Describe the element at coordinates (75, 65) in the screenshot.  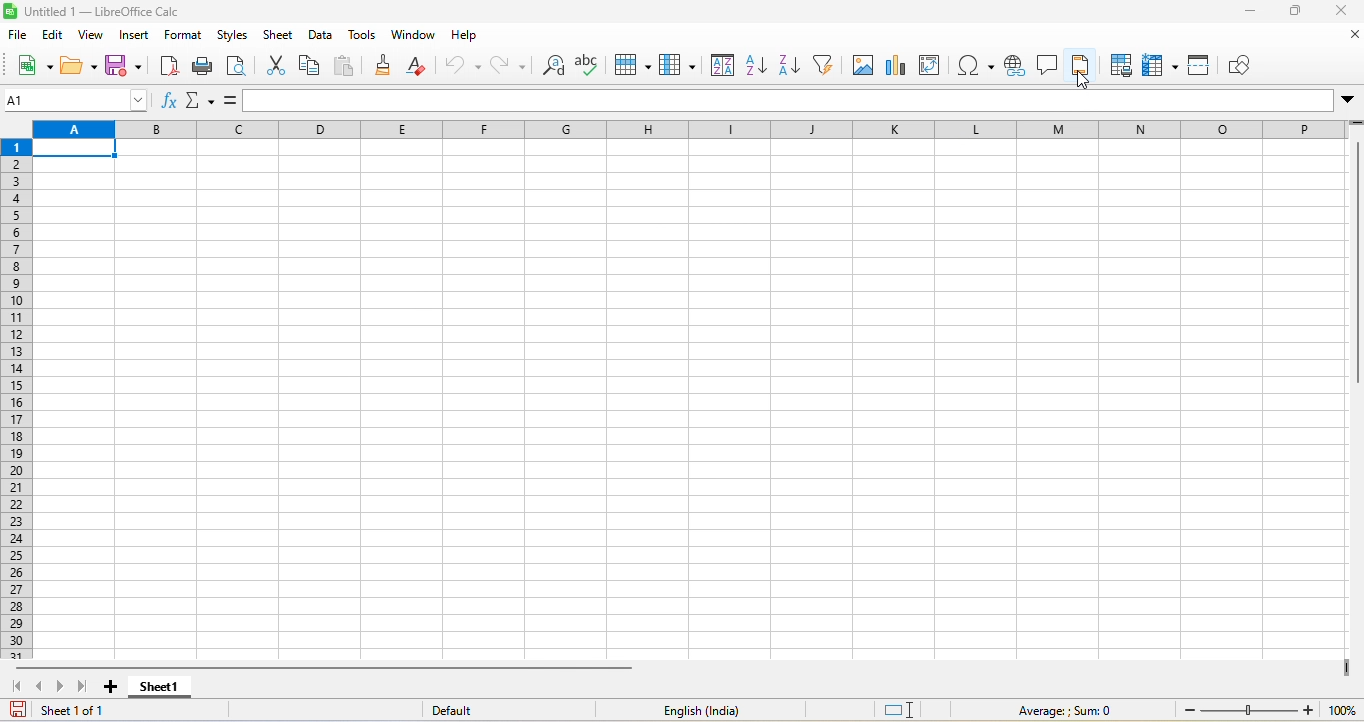
I see `open` at that location.